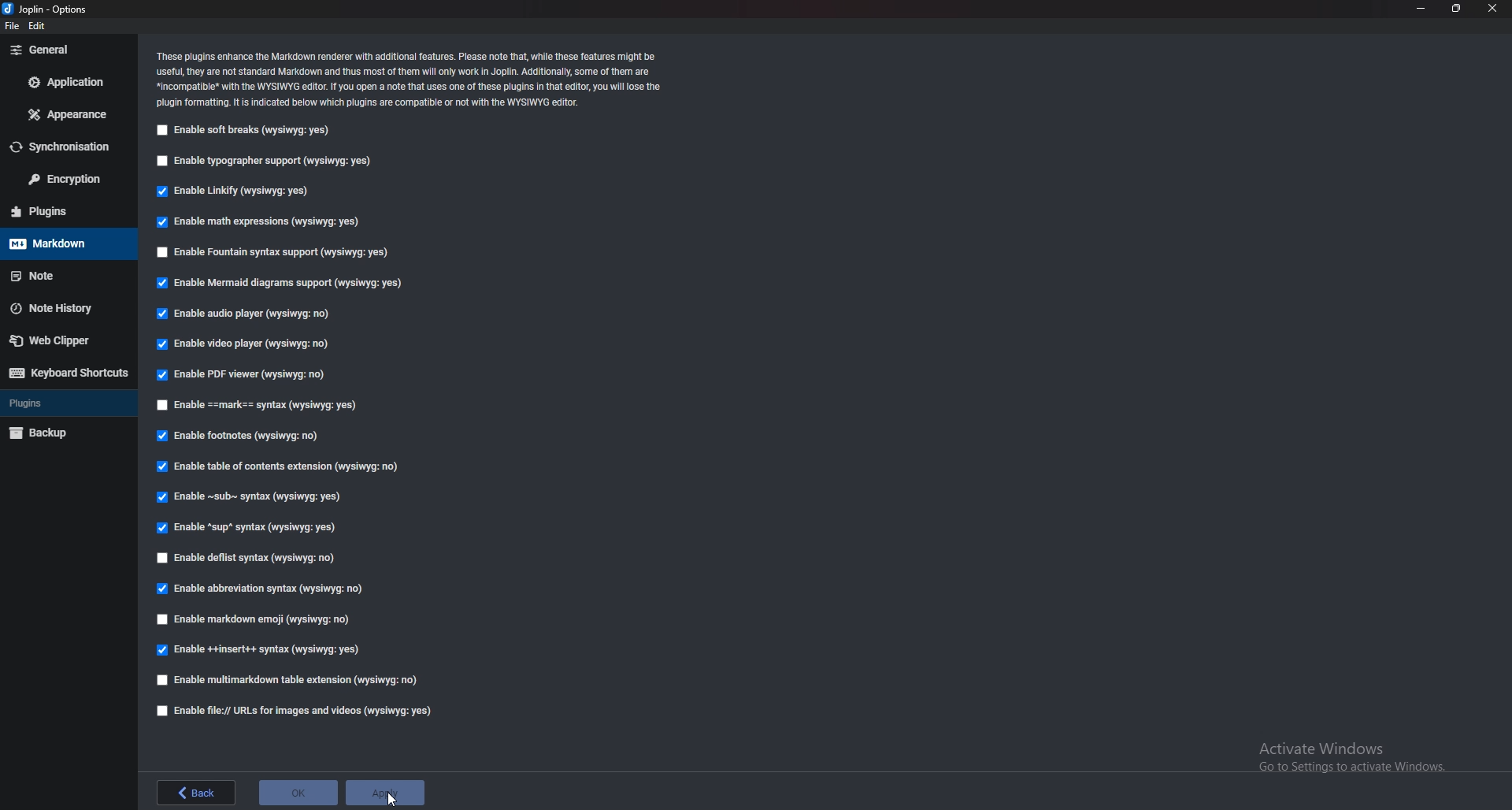 This screenshot has width=1512, height=810. What do you see at coordinates (276, 252) in the screenshot?
I see `Enable fountain syntax support` at bounding box center [276, 252].